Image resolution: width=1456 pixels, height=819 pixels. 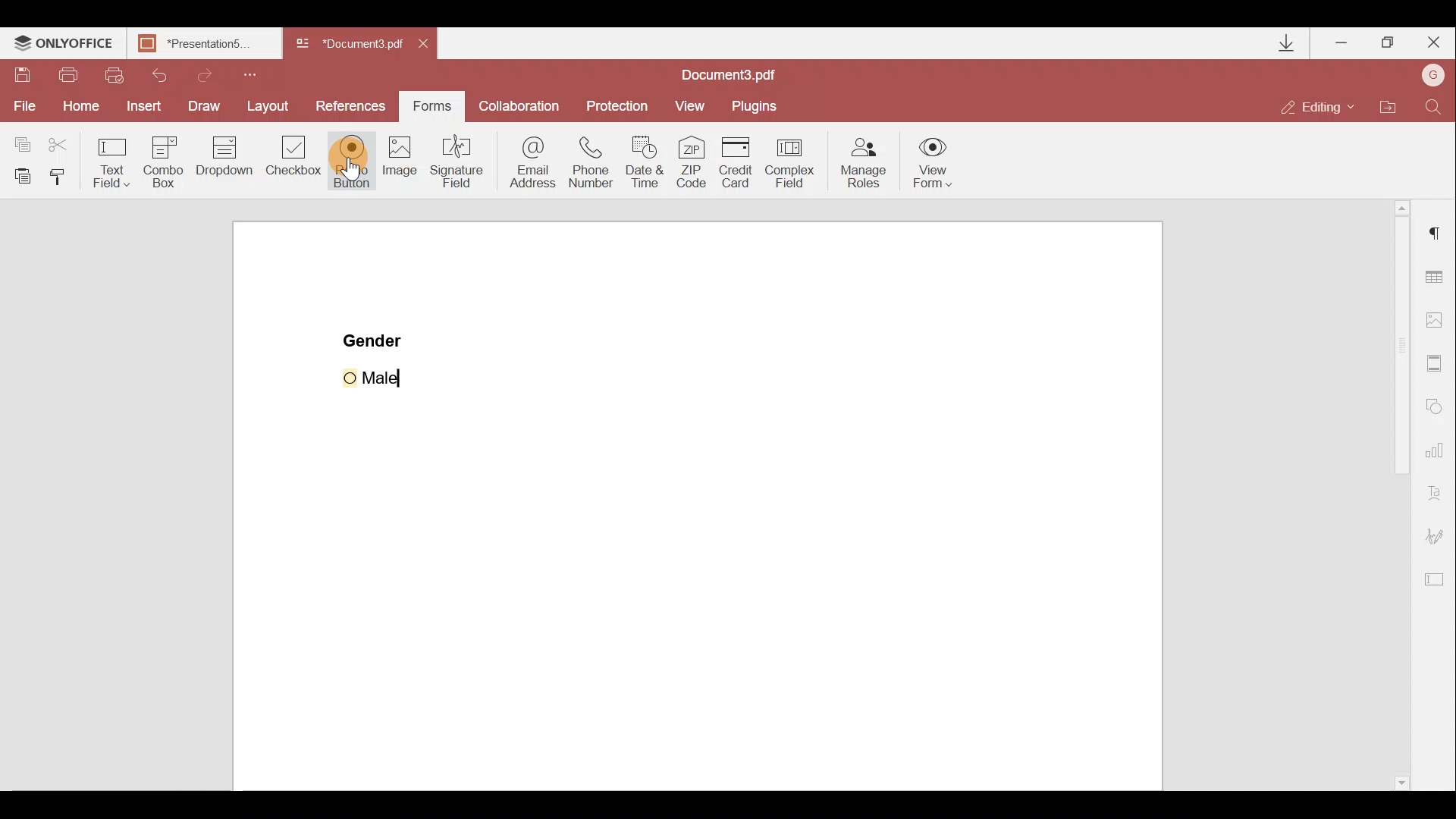 What do you see at coordinates (436, 106) in the screenshot?
I see `Forms` at bounding box center [436, 106].